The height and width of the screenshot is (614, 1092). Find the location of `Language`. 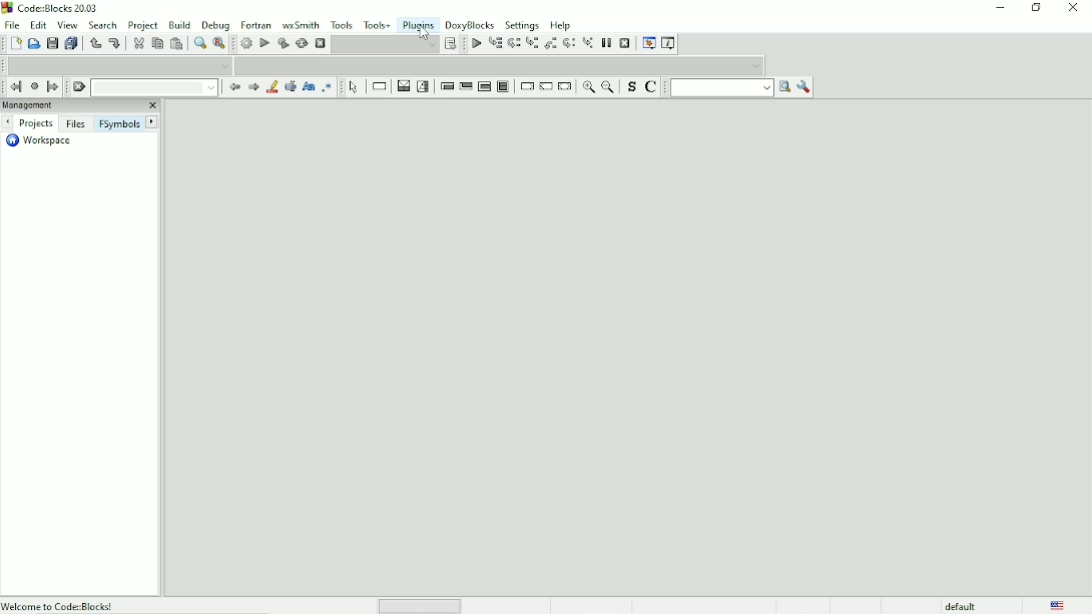

Language is located at coordinates (1057, 605).